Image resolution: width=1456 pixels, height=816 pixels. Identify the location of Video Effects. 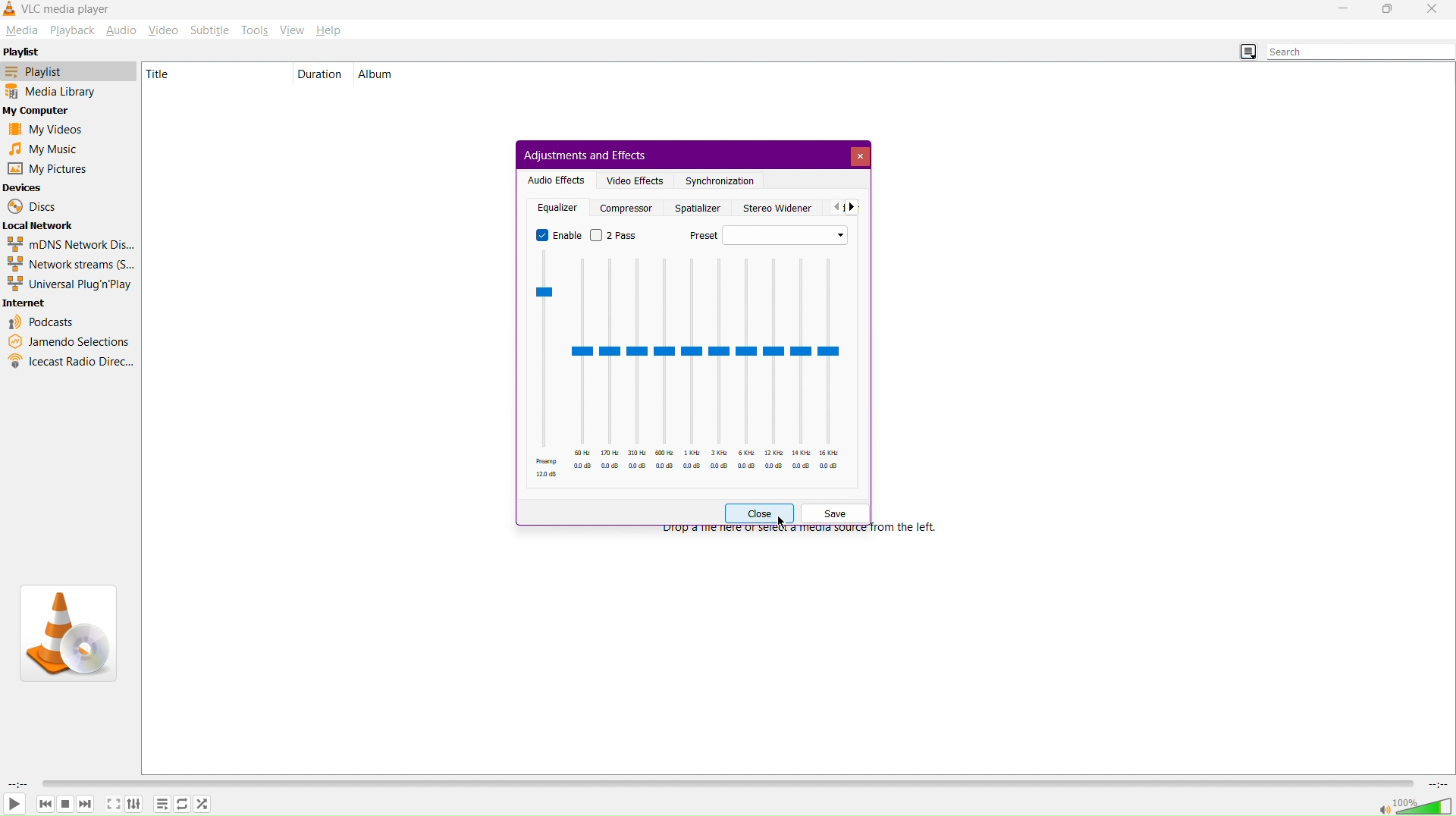
(635, 180).